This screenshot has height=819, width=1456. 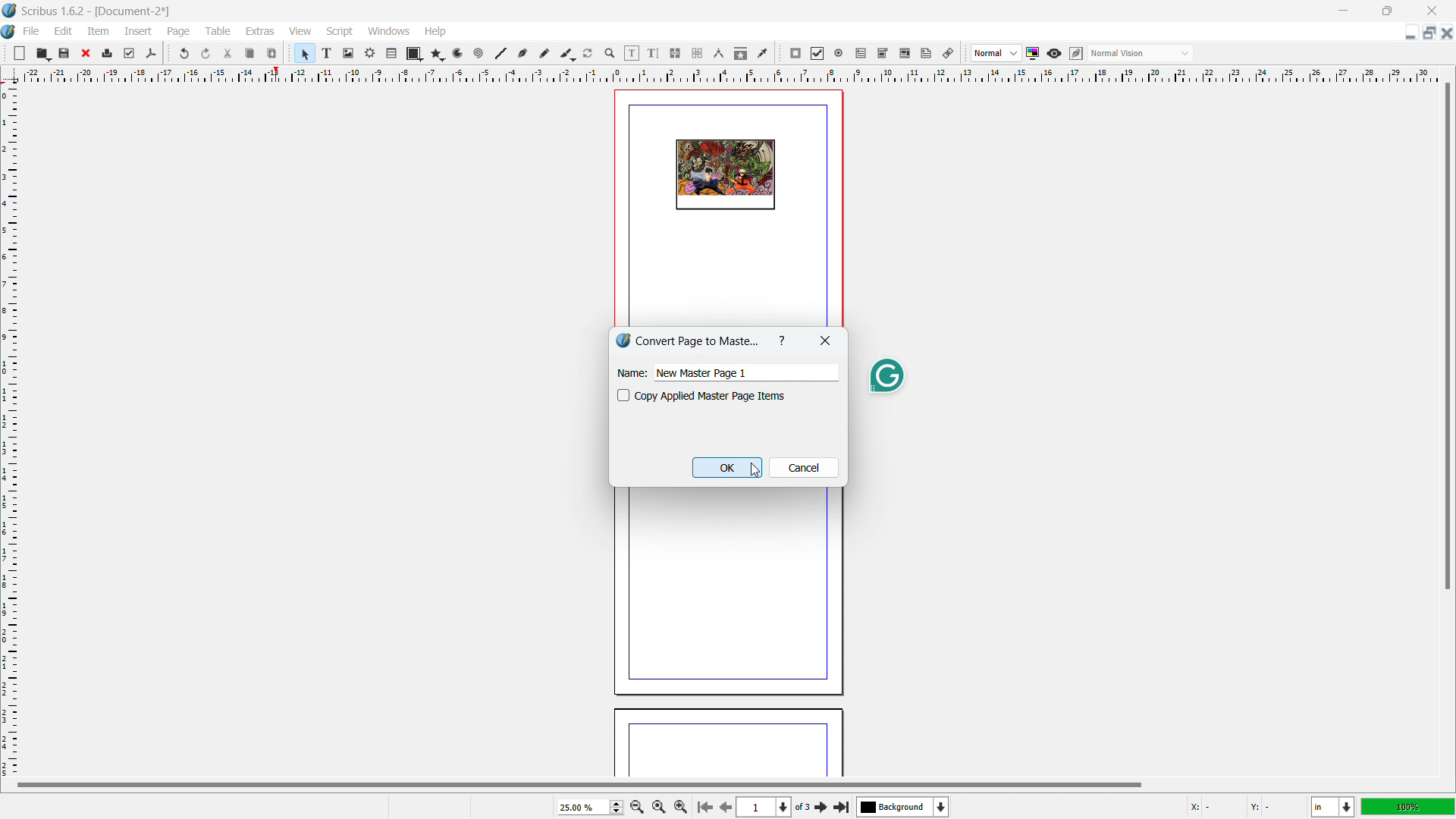 What do you see at coordinates (30, 31) in the screenshot?
I see `file` at bounding box center [30, 31].